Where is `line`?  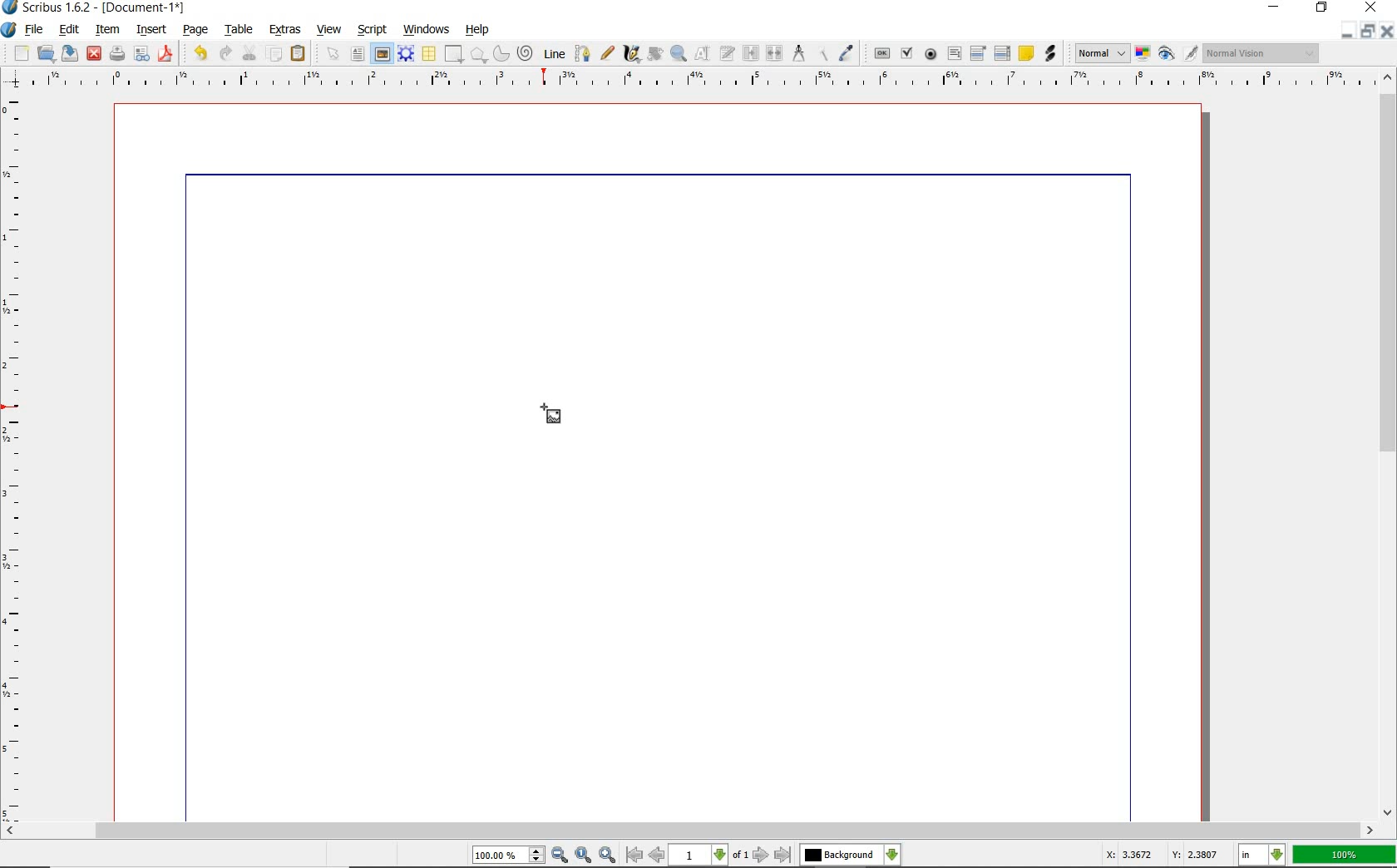 line is located at coordinates (555, 52).